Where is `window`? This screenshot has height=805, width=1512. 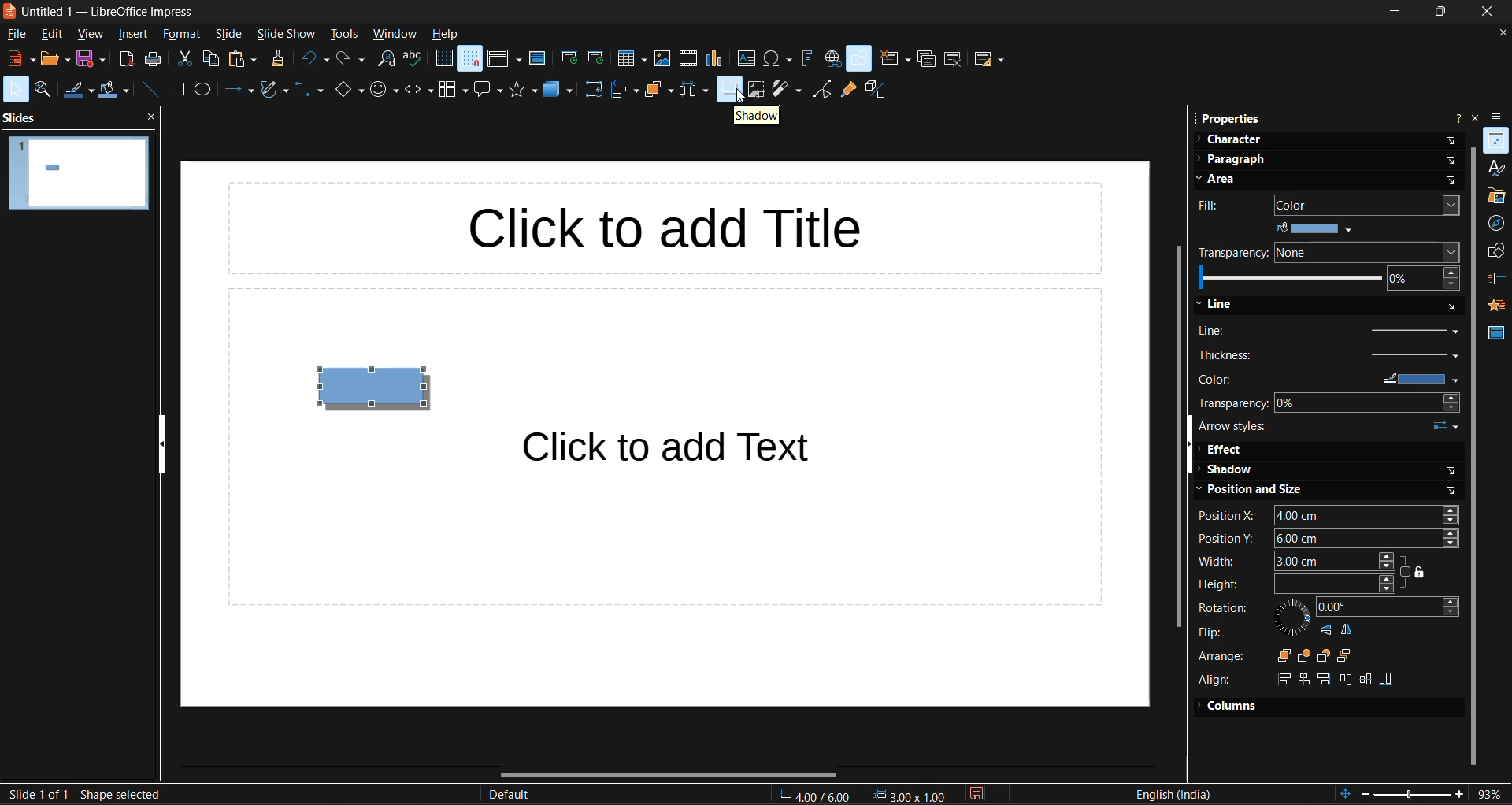
window is located at coordinates (395, 36).